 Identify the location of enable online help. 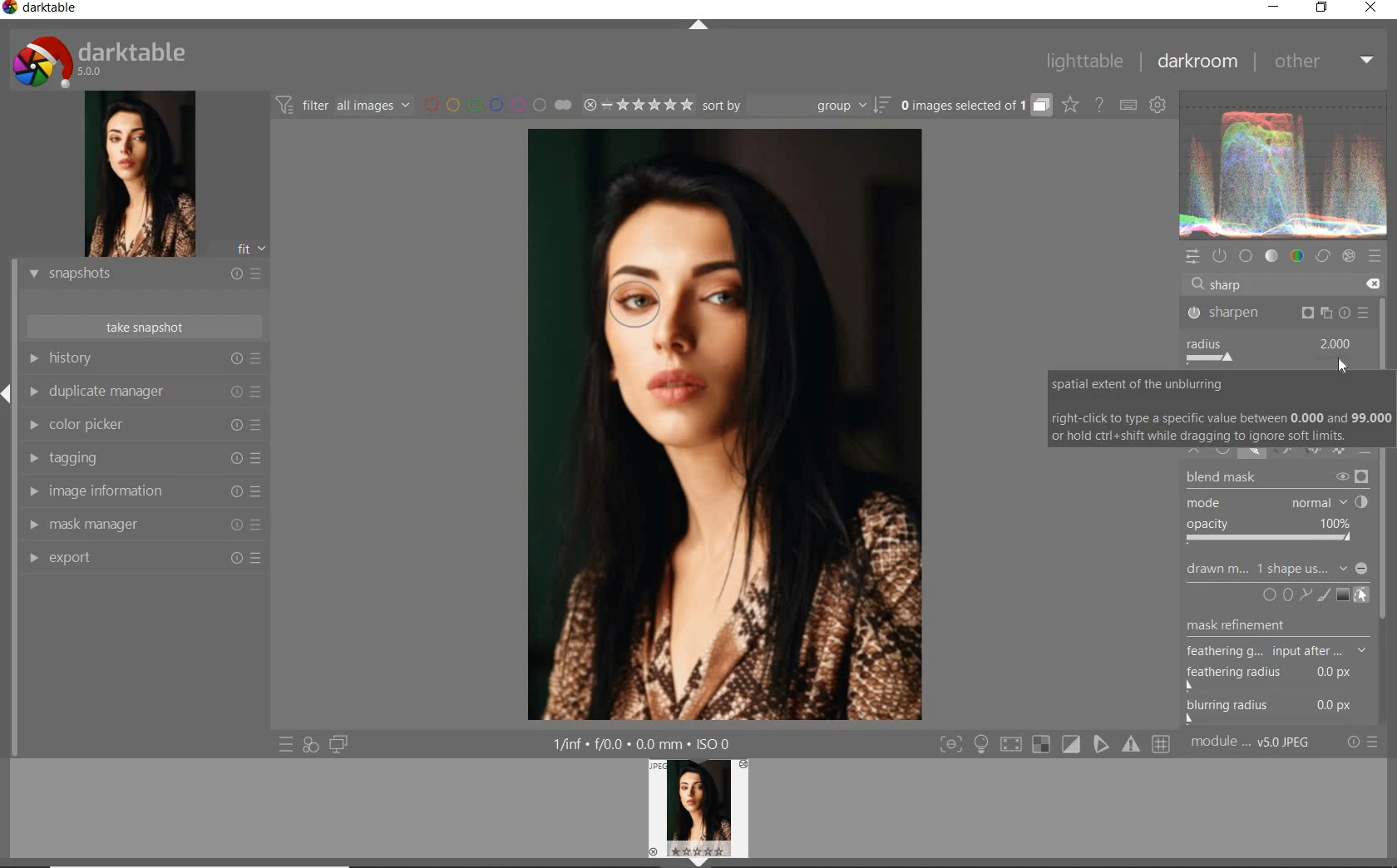
(1099, 106).